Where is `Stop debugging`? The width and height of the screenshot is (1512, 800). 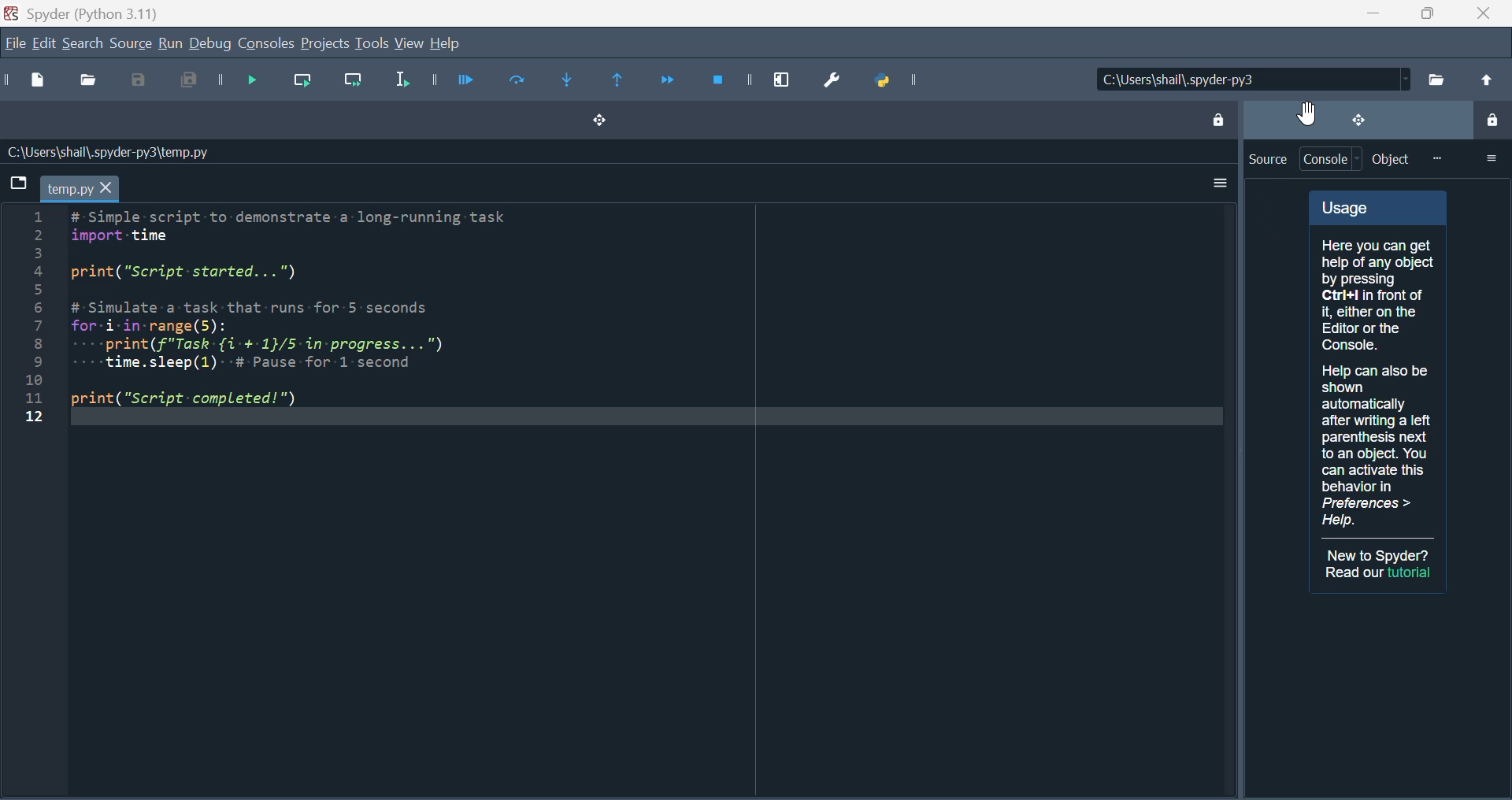
Stop debugging is located at coordinates (722, 80).